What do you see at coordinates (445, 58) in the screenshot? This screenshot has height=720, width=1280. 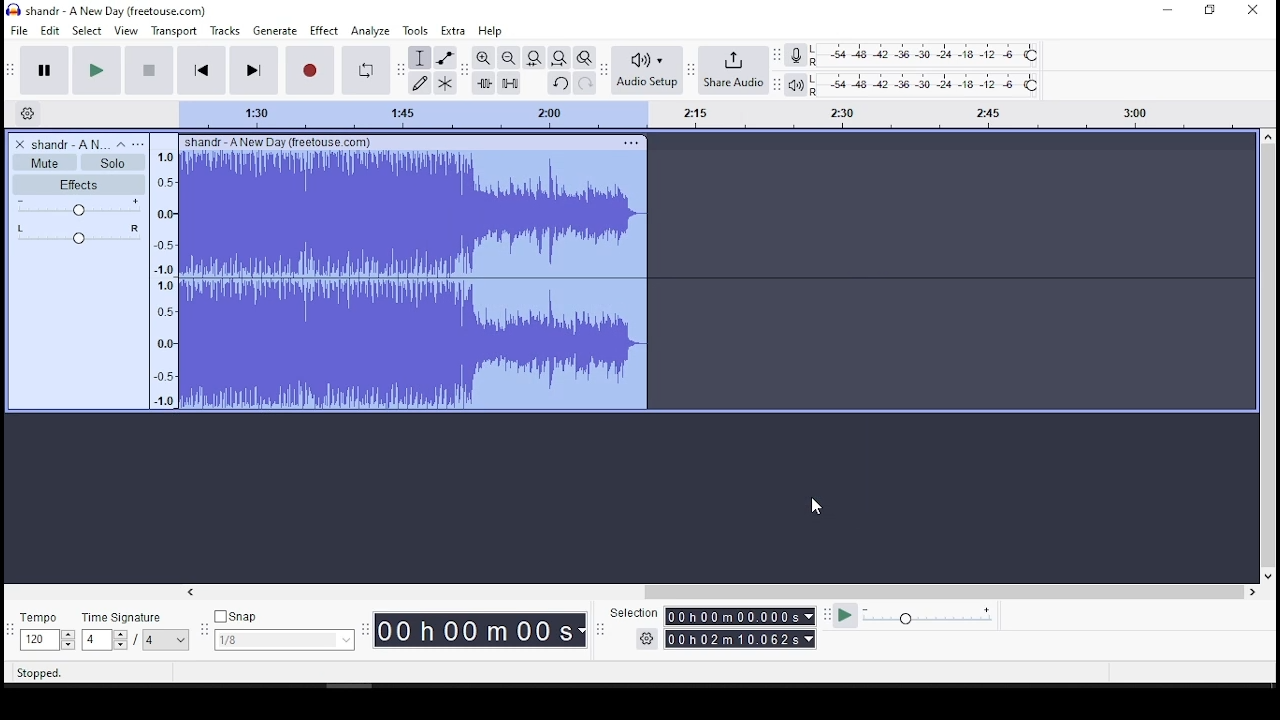 I see `envelope tool` at bounding box center [445, 58].